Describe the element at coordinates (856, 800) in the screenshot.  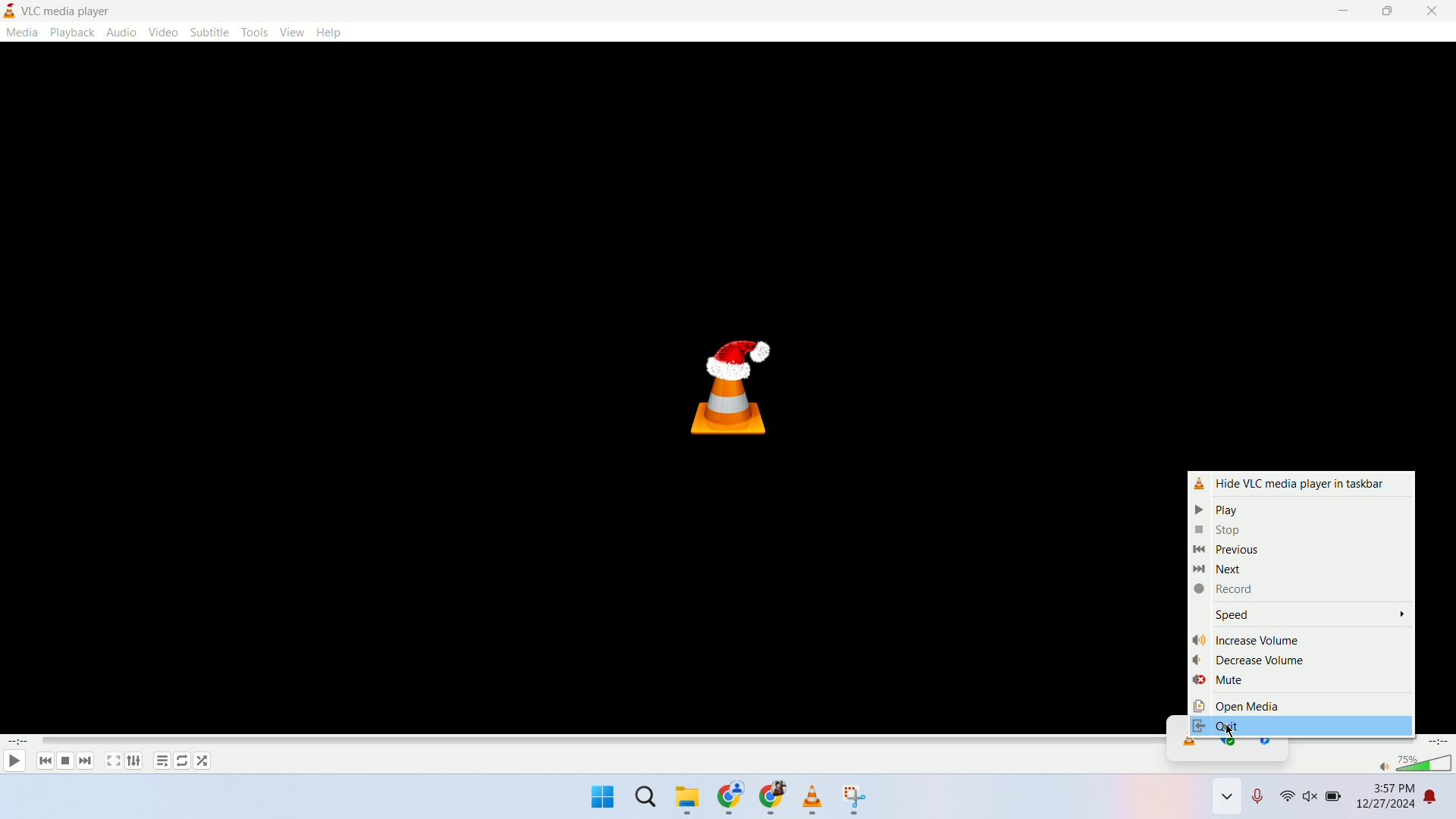
I see `snipping tool` at that location.